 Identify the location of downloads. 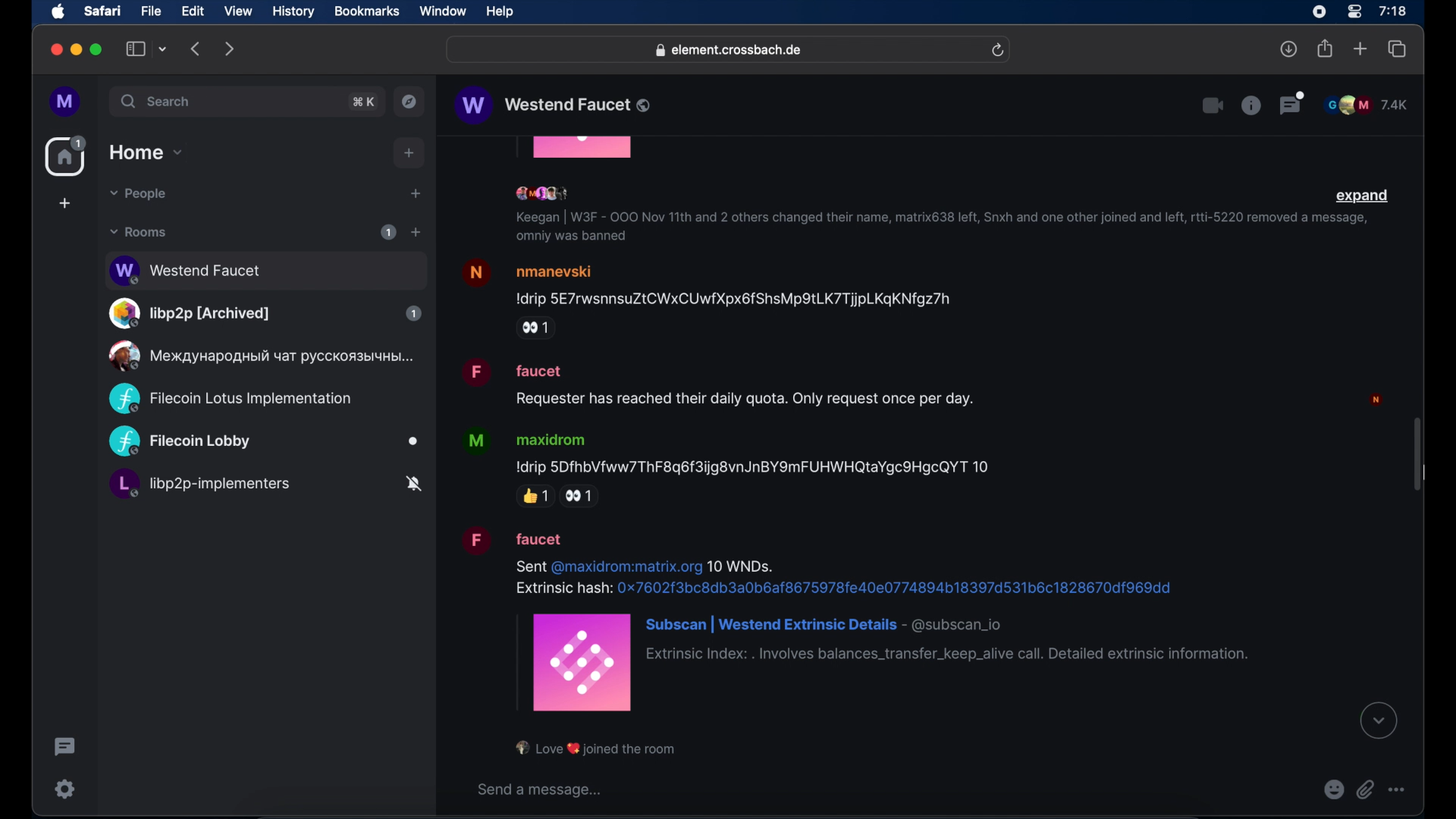
(1289, 49).